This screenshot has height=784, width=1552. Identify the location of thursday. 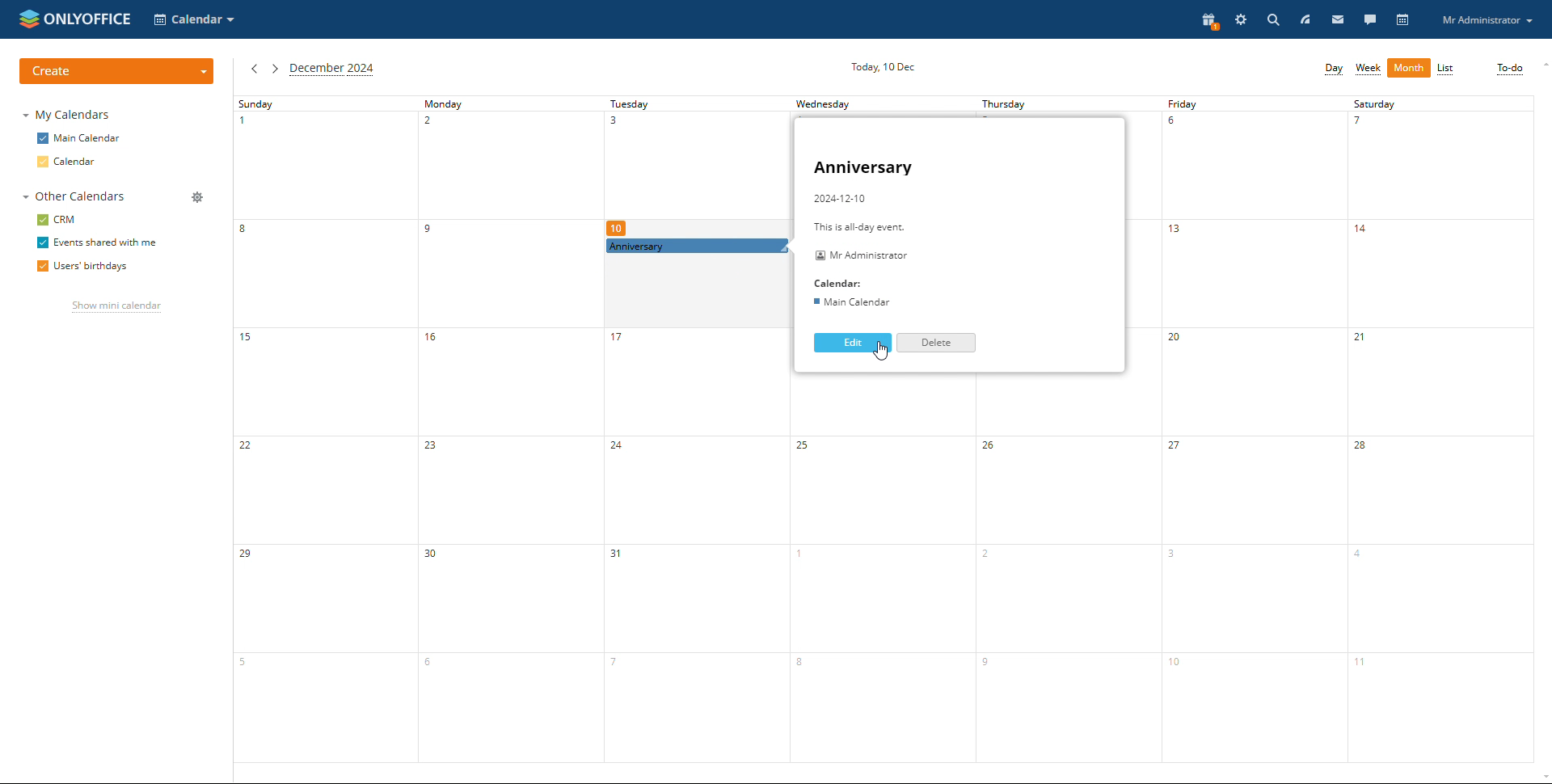
(1066, 568).